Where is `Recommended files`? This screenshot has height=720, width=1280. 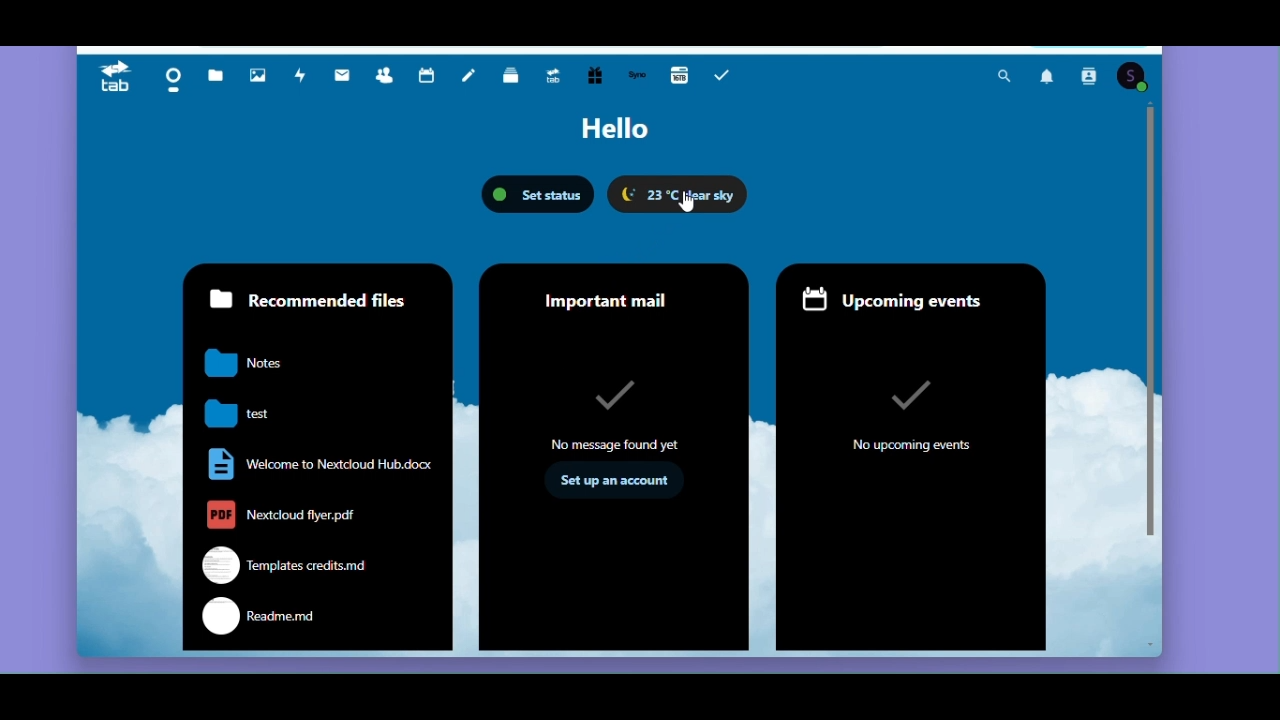
Recommended files is located at coordinates (311, 298).